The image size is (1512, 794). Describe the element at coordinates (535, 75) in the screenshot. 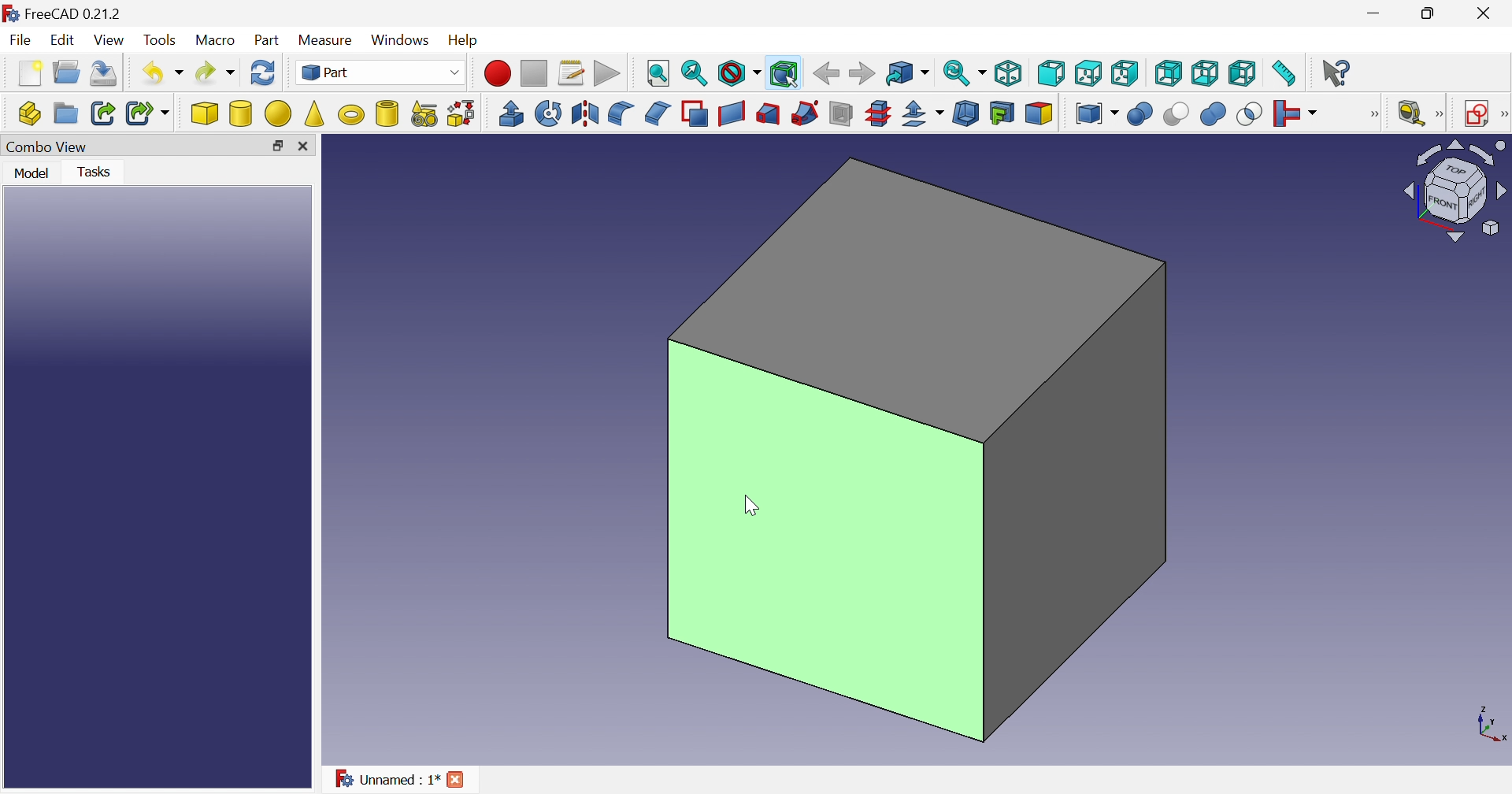

I see `Stop macro recording` at that location.